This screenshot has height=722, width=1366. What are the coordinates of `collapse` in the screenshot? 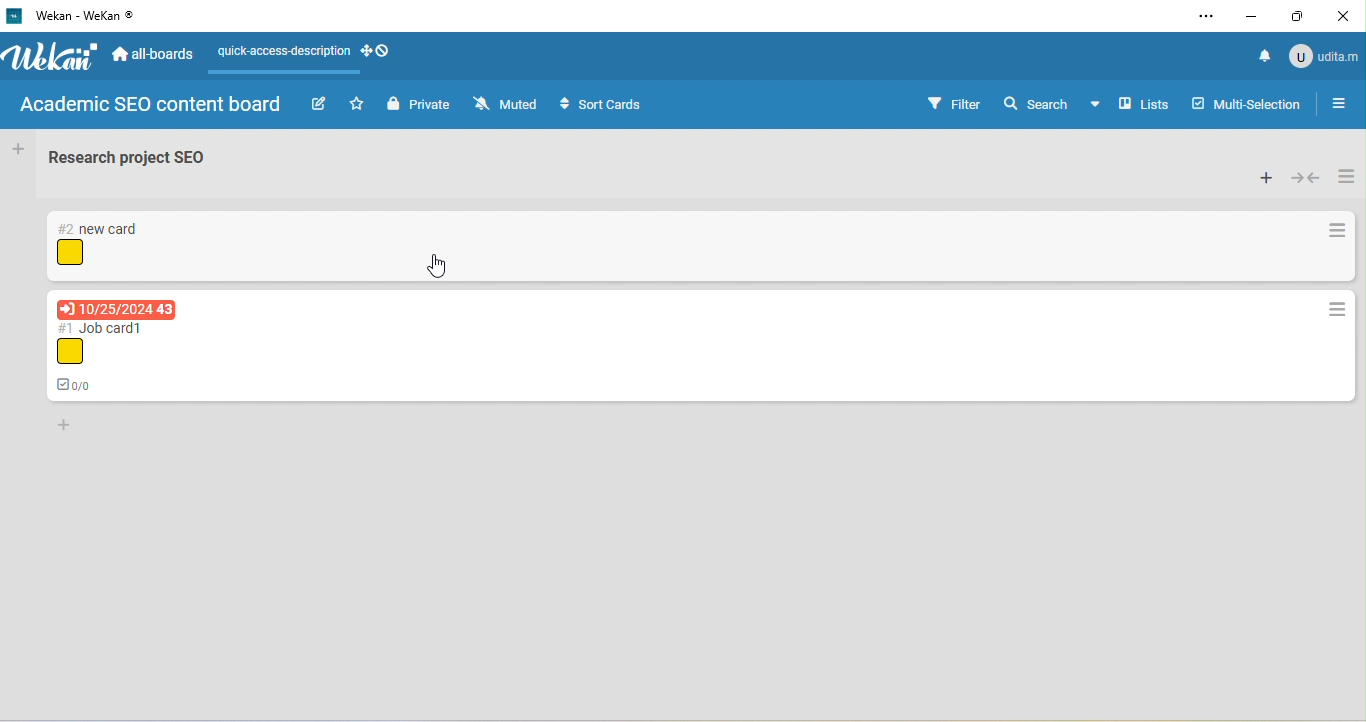 It's located at (1306, 178).